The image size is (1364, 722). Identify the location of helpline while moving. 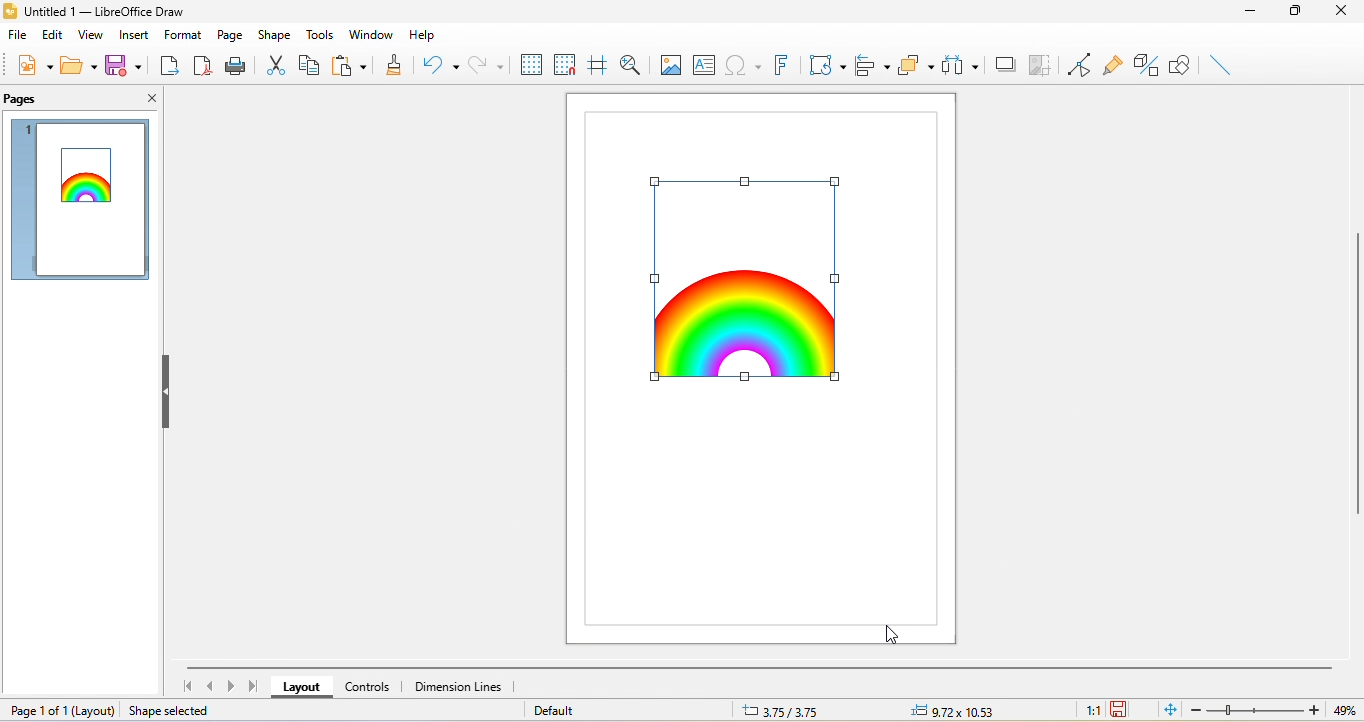
(596, 66).